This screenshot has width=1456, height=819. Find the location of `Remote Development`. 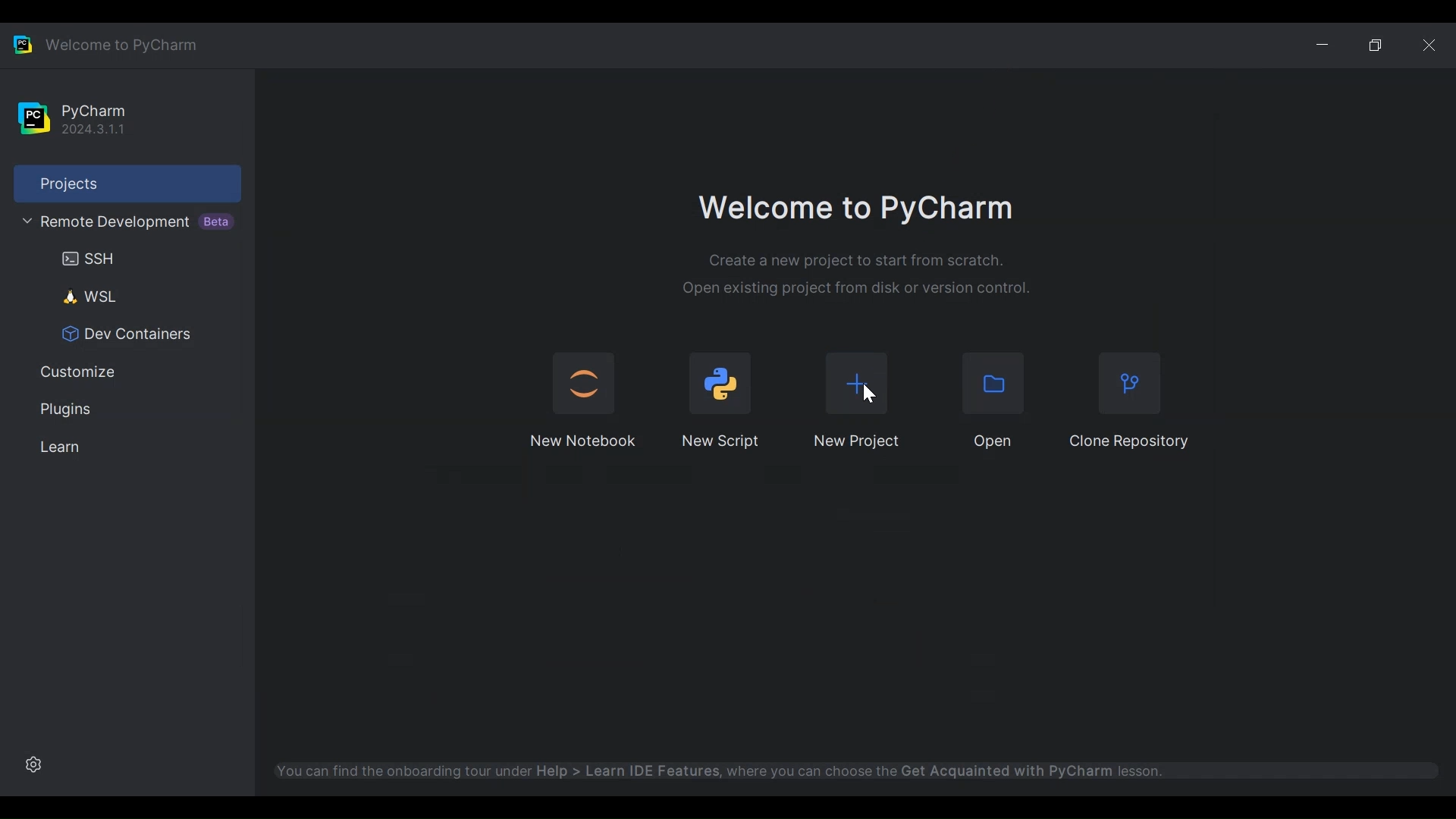

Remote Development is located at coordinates (124, 222).